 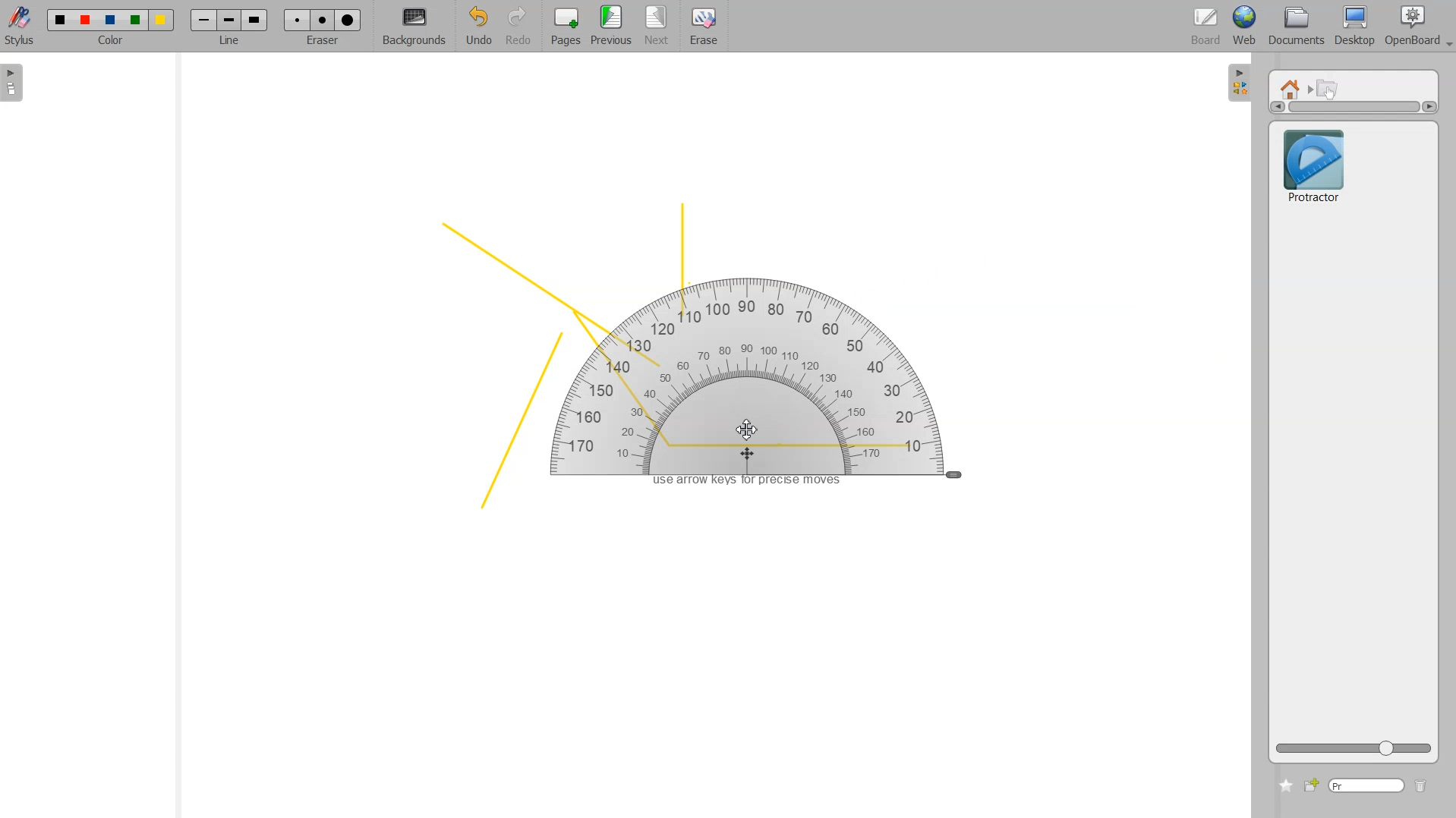 What do you see at coordinates (1245, 27) in the screenshot?
I see `Web` at bounding box center [1245, 27].